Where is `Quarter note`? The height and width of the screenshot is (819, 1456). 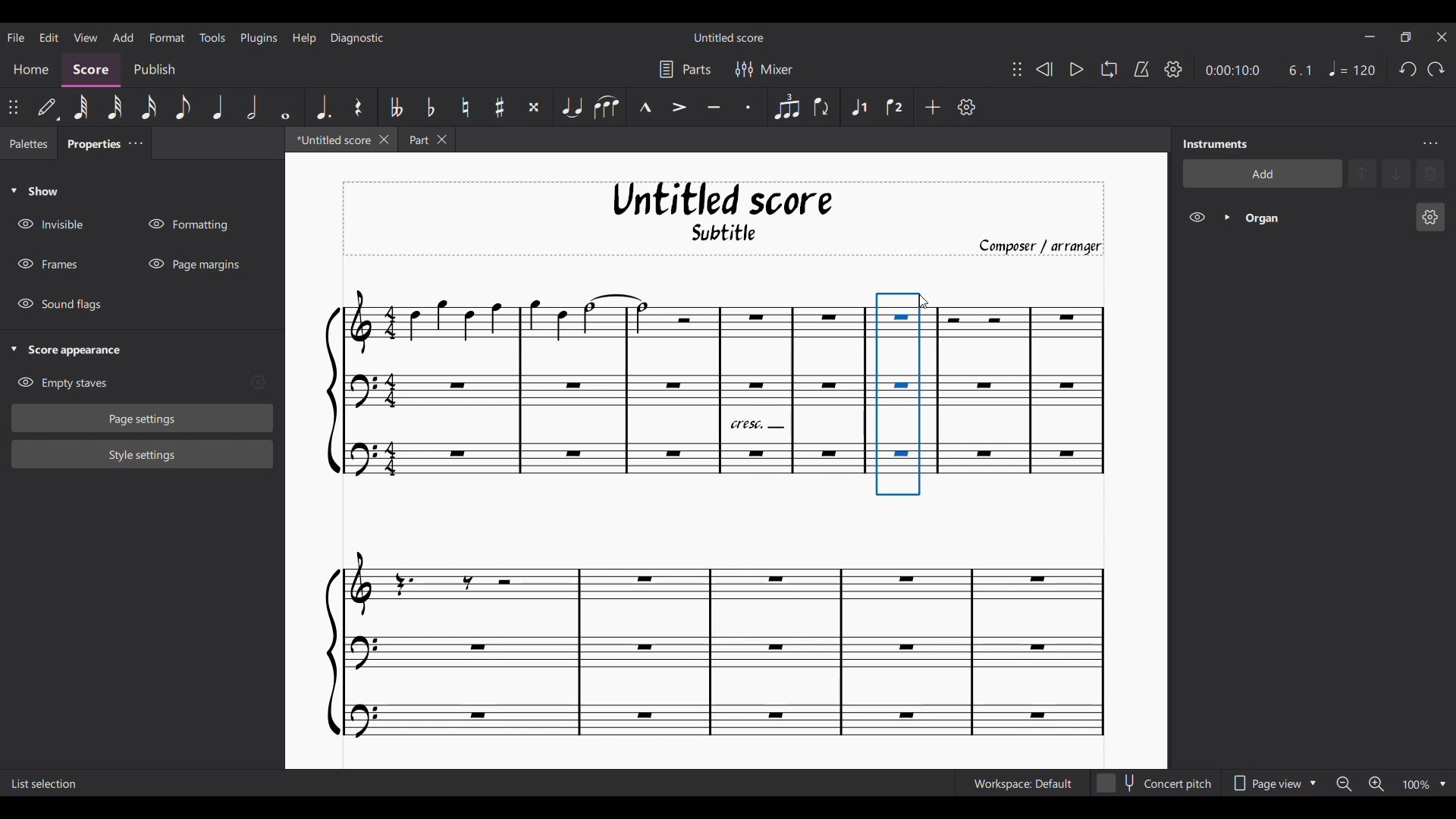
Quarter note is located at coordinates (218, 107).